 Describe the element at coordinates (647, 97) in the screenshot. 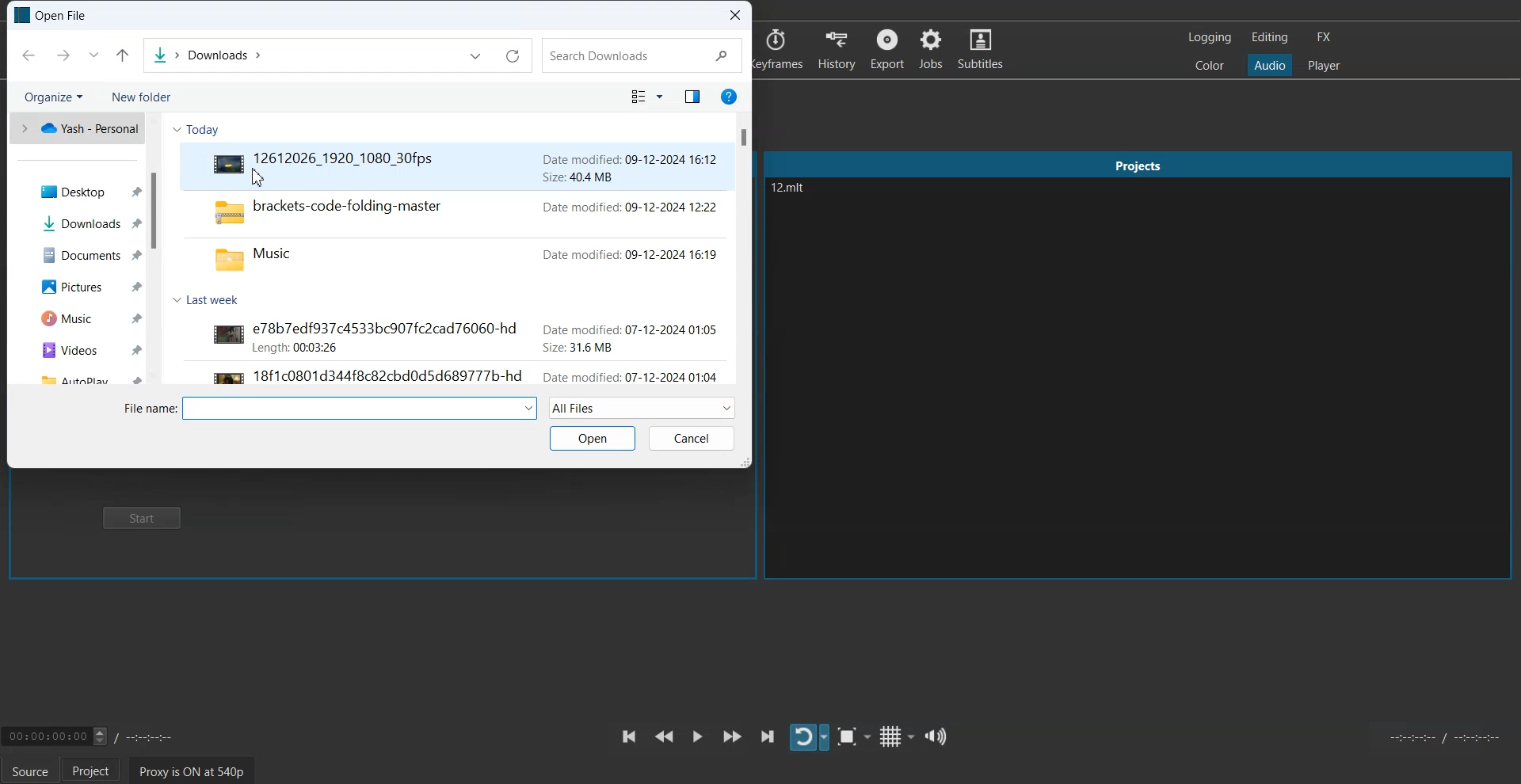

I see `Change your view` at that location.